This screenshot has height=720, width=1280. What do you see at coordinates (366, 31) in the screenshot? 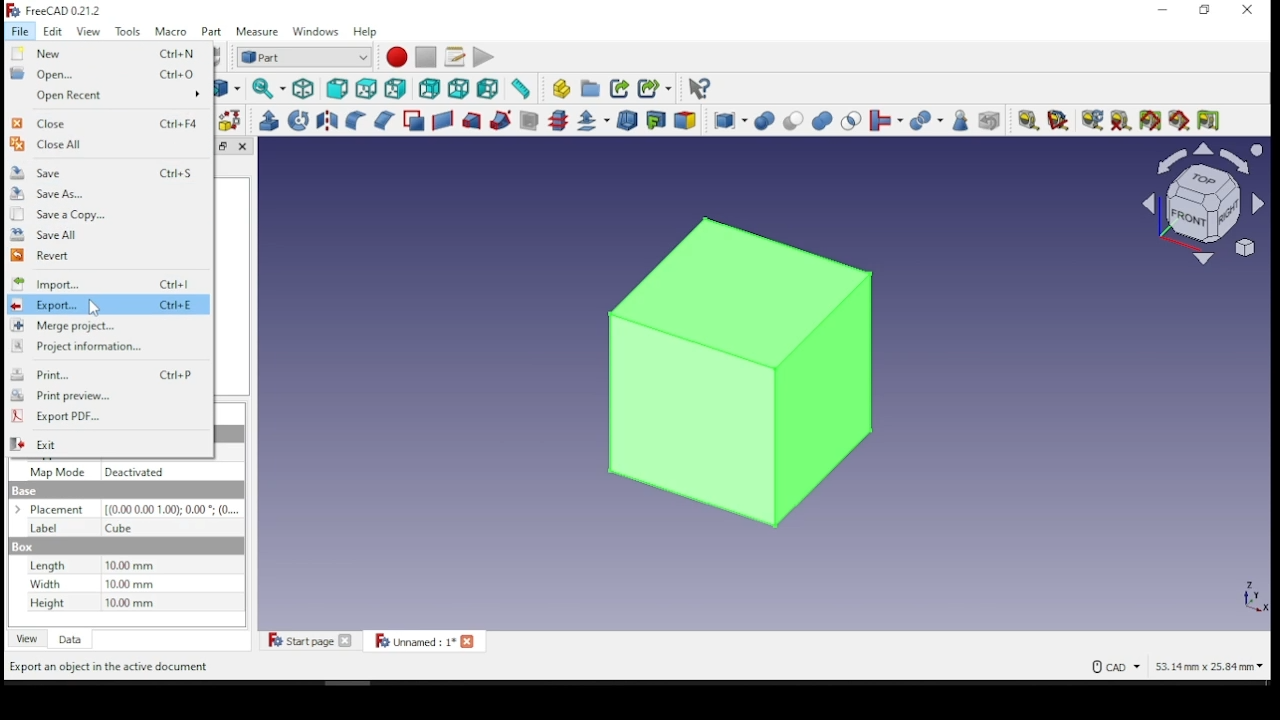
I see `help` at bounding box center [366, 31].